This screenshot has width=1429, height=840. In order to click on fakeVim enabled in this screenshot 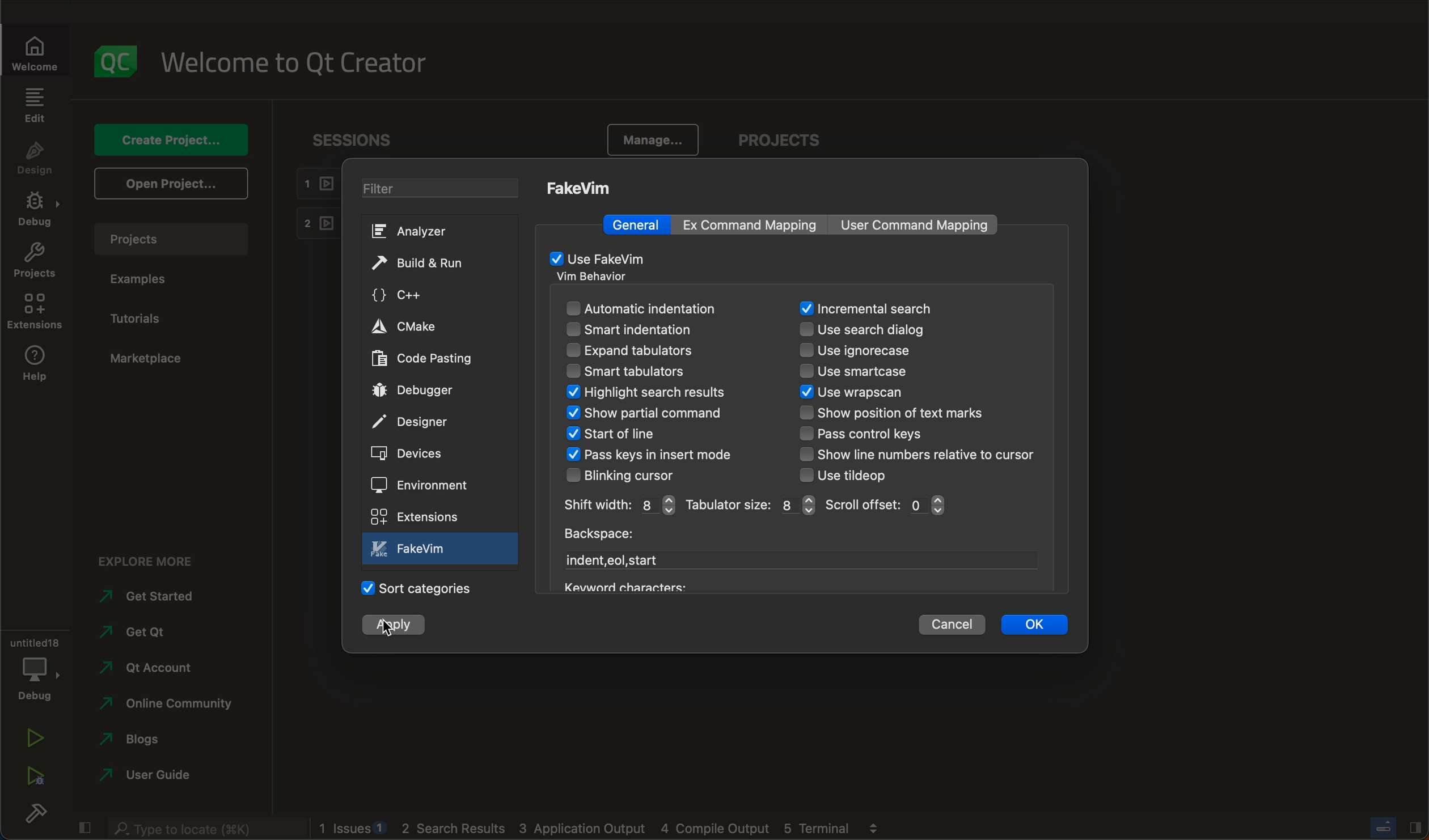, I will do `click(601, 257)`.